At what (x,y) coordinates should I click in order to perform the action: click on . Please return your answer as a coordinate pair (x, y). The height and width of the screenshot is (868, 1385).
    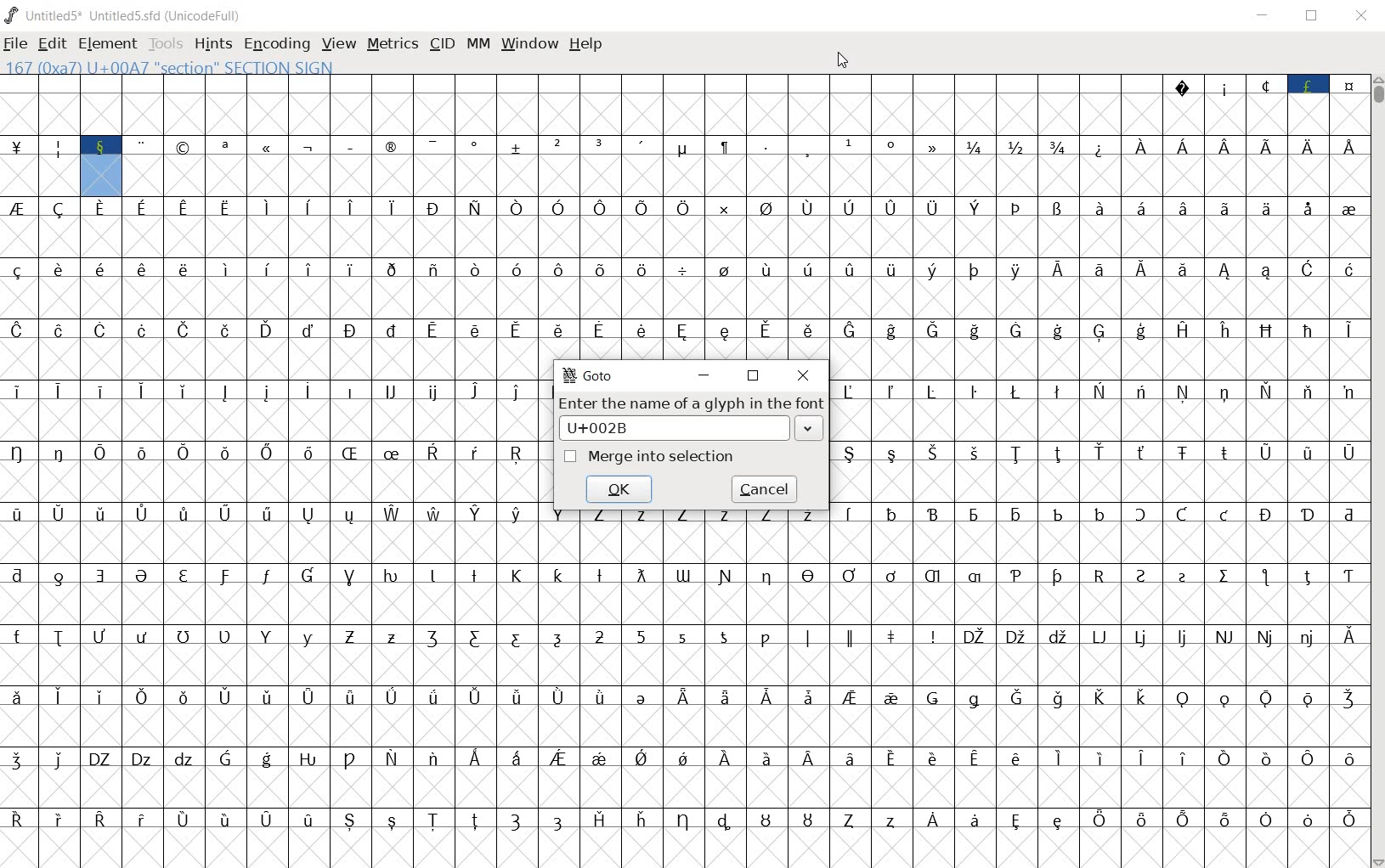
    Looking at the image, I should click on (392, 533).